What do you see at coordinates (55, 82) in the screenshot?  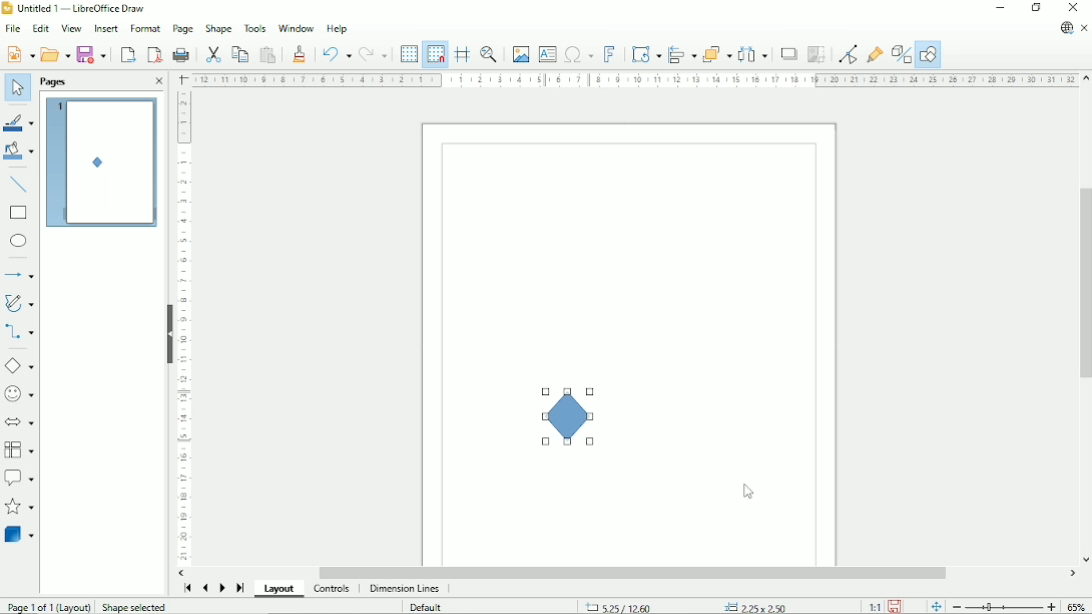 I see `Pages` at bounding box center [55, 82].